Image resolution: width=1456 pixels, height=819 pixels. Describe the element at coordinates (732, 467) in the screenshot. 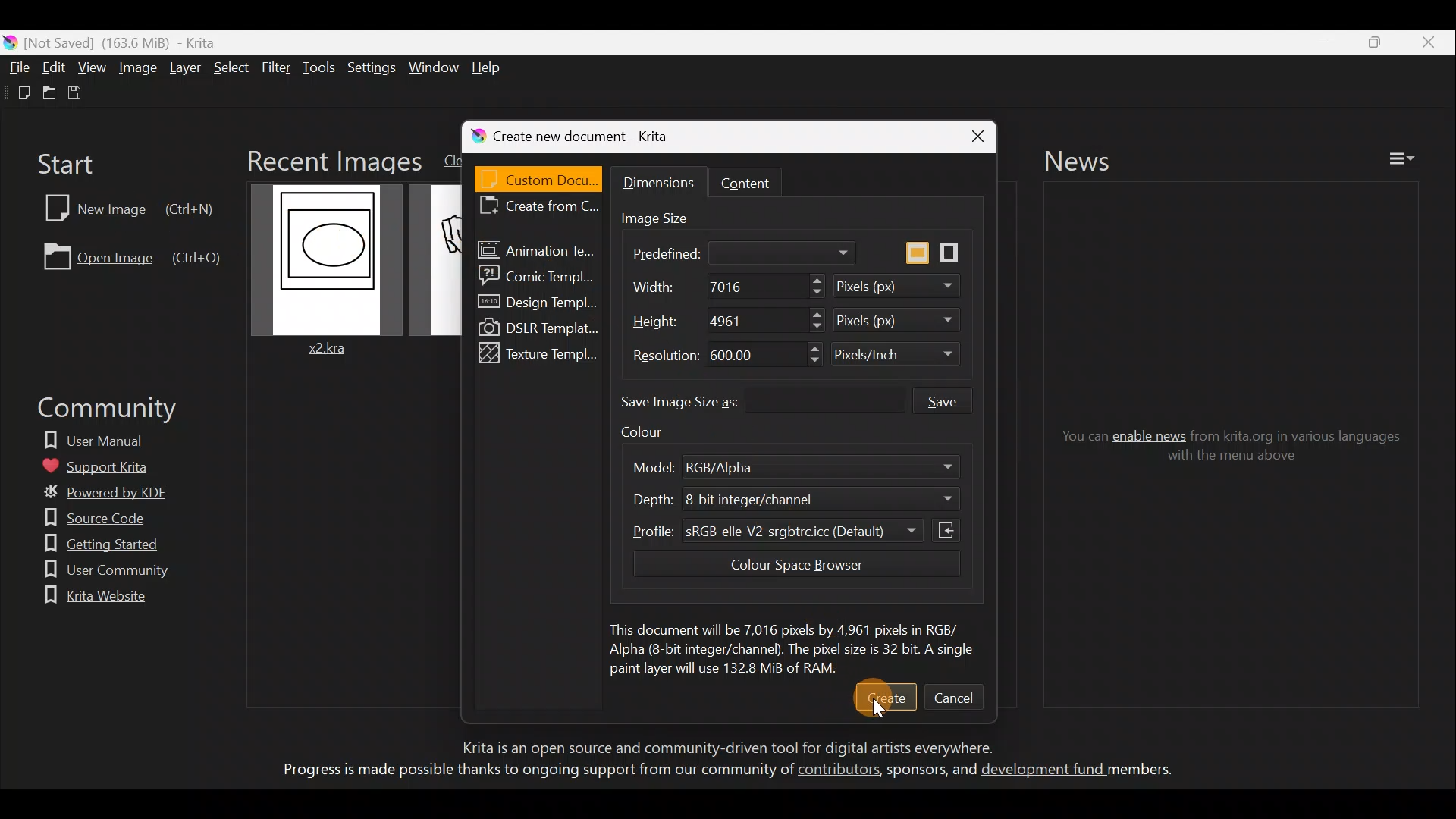

I see `RGB/Alpha` at that location.